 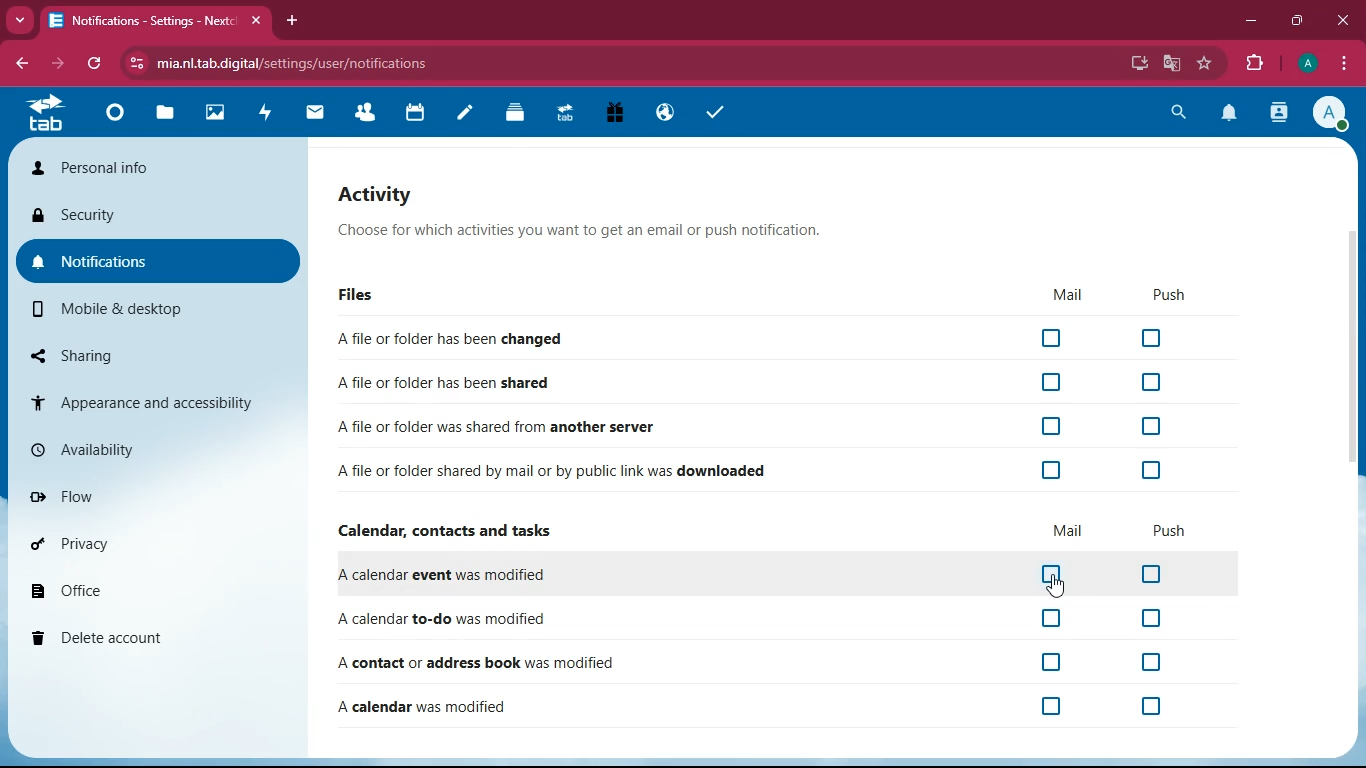 What do you see at coordinates (159, 498) in the screenshot?
I see `flow` at bounding box center [159, 498].